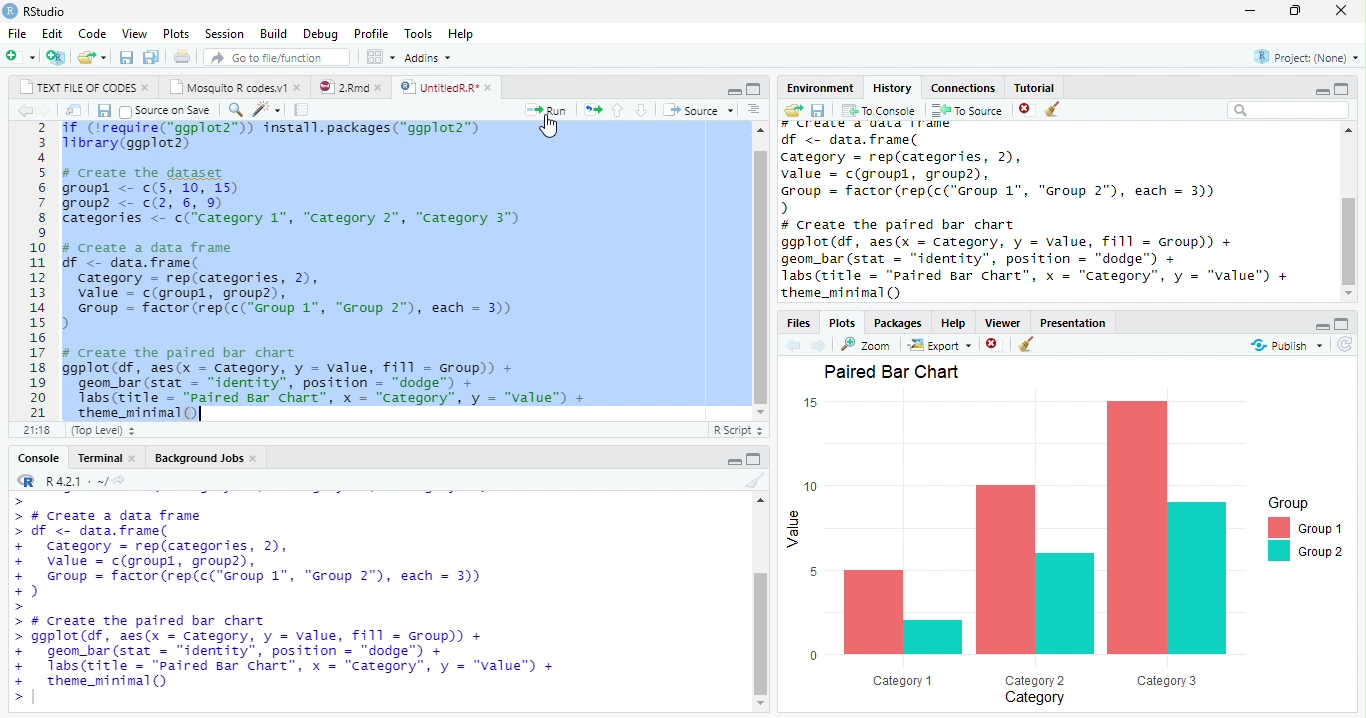 The height and width of the screenshot is (718, 1366). What do you see at coordinates (1345, 345) in the screenshot?
I see `sync` at bounding box center [1345, 345].